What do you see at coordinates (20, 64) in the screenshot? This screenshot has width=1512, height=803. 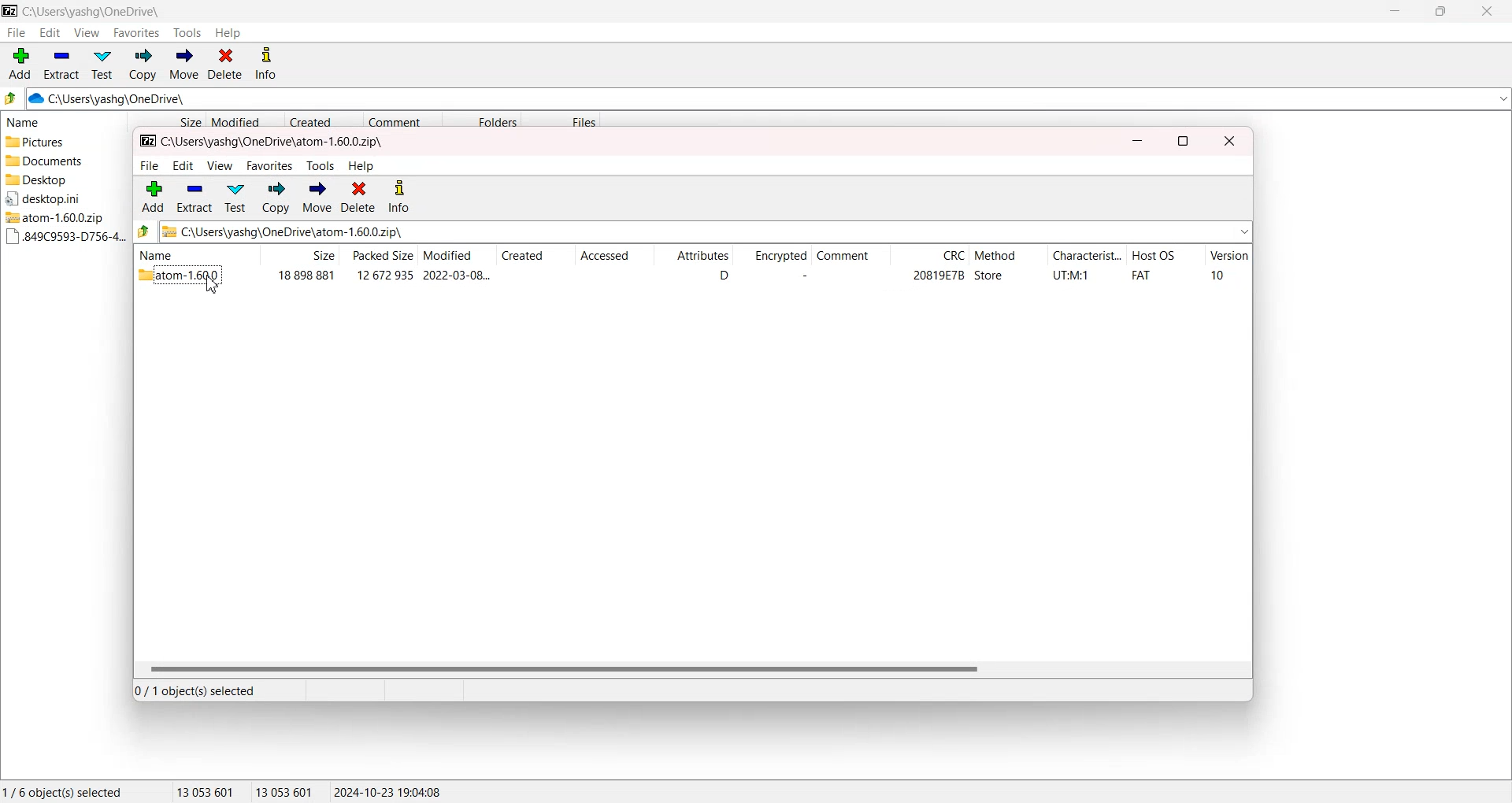 I see `Add` at bounding box center [20, 64].